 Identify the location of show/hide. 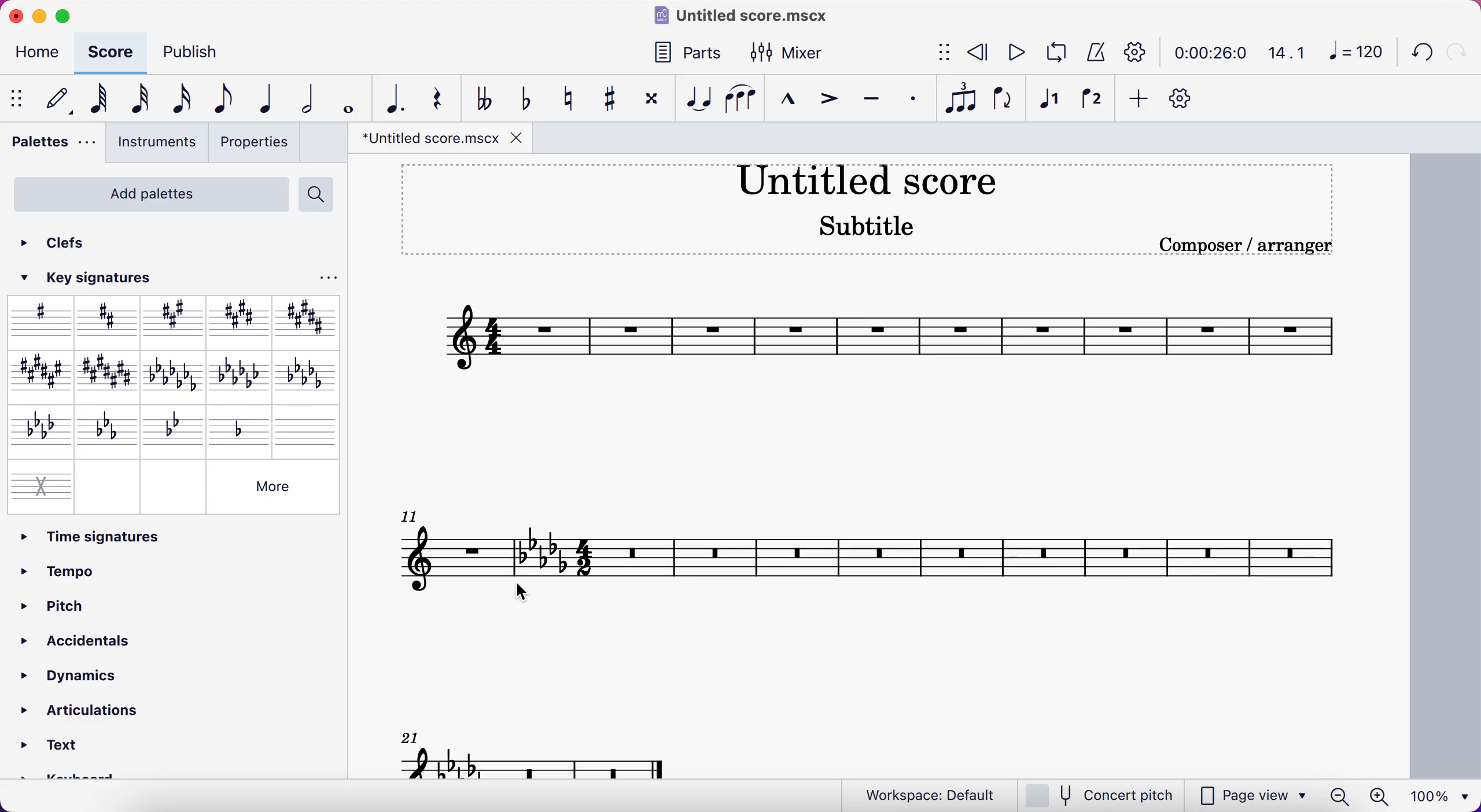
(943, 50).